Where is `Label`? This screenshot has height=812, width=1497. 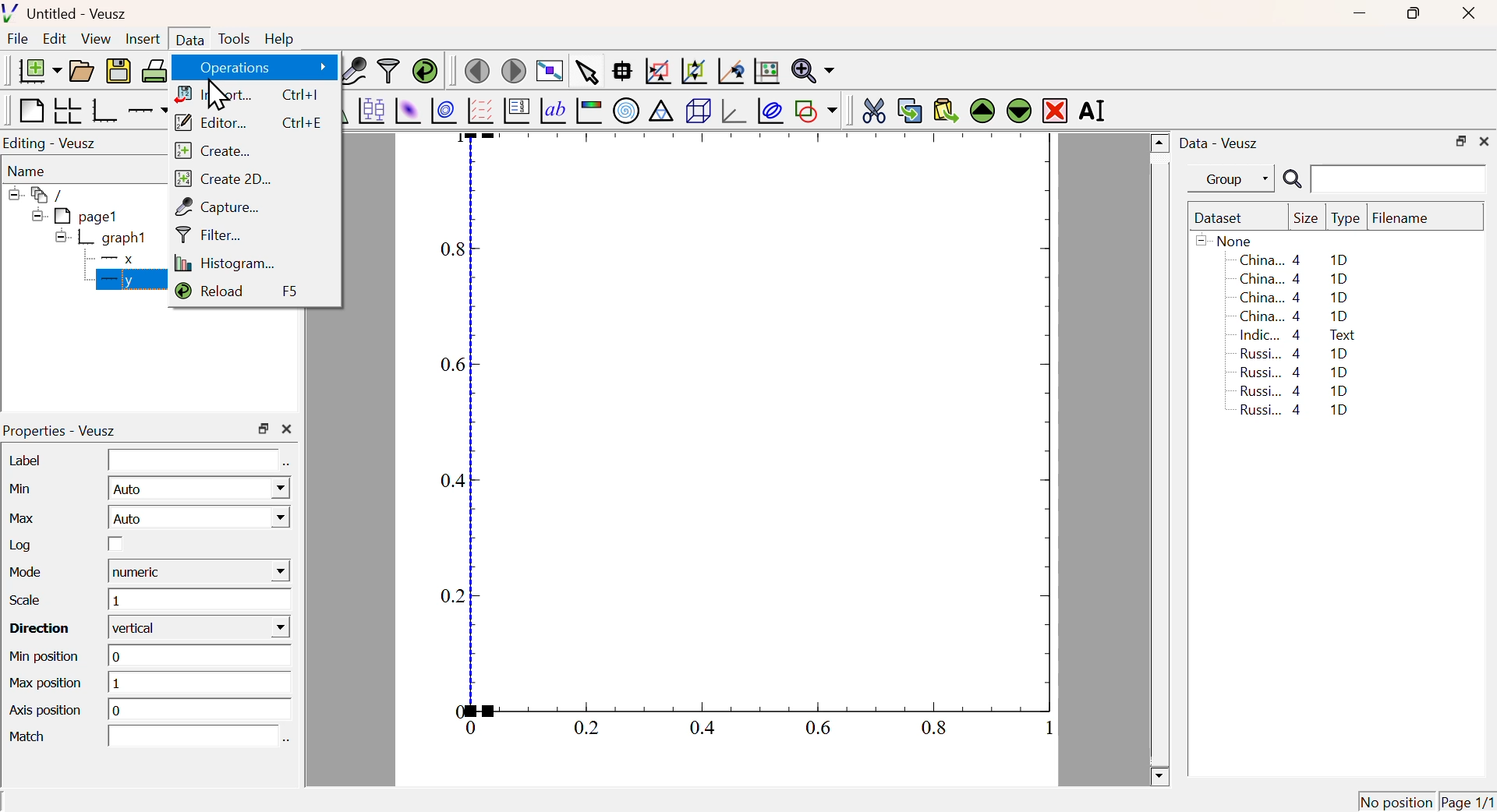
Label is located at coordinates (27, 460).